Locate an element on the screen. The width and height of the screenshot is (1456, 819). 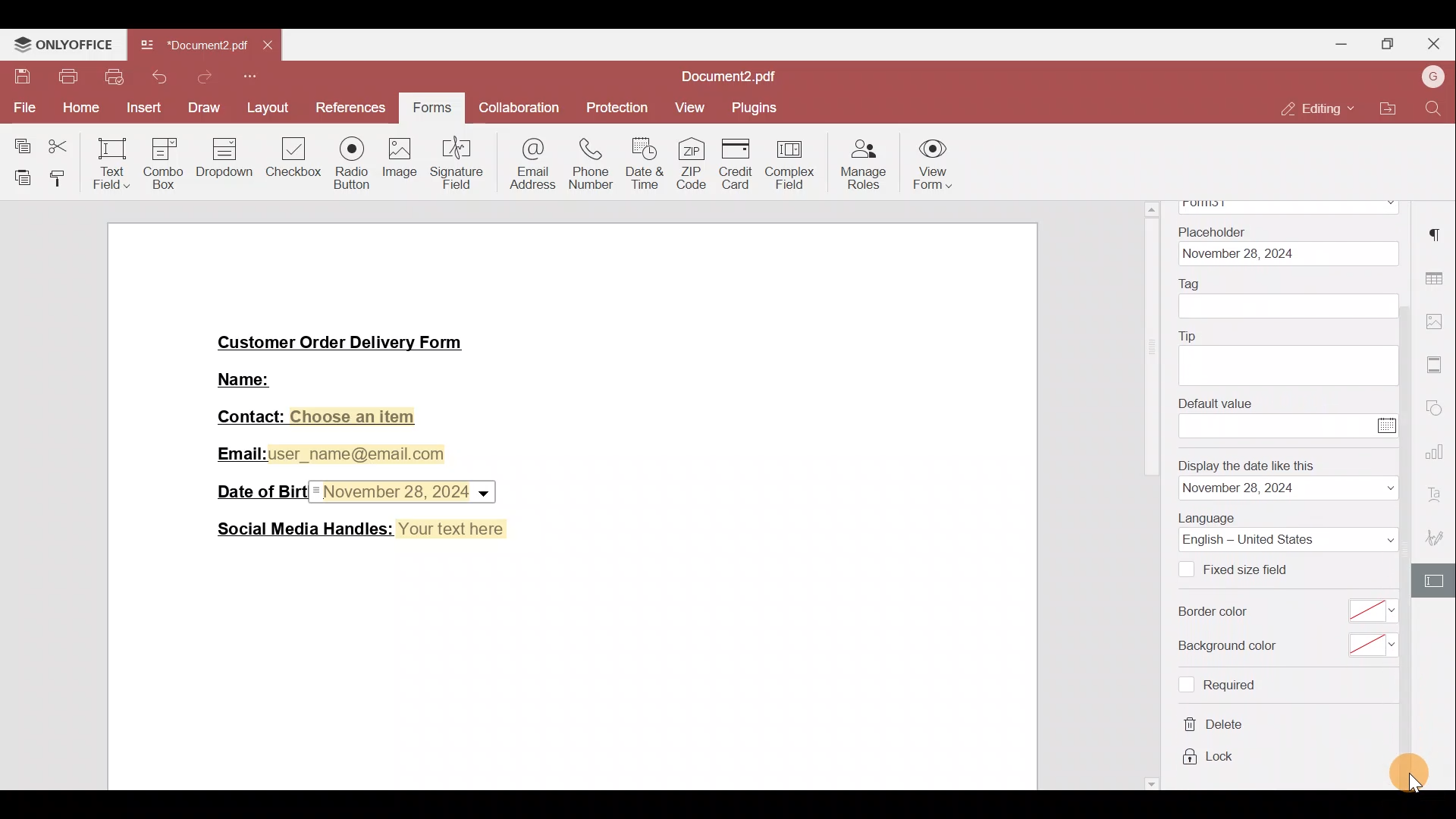
Form settings is located at coordinates (1437, 583).